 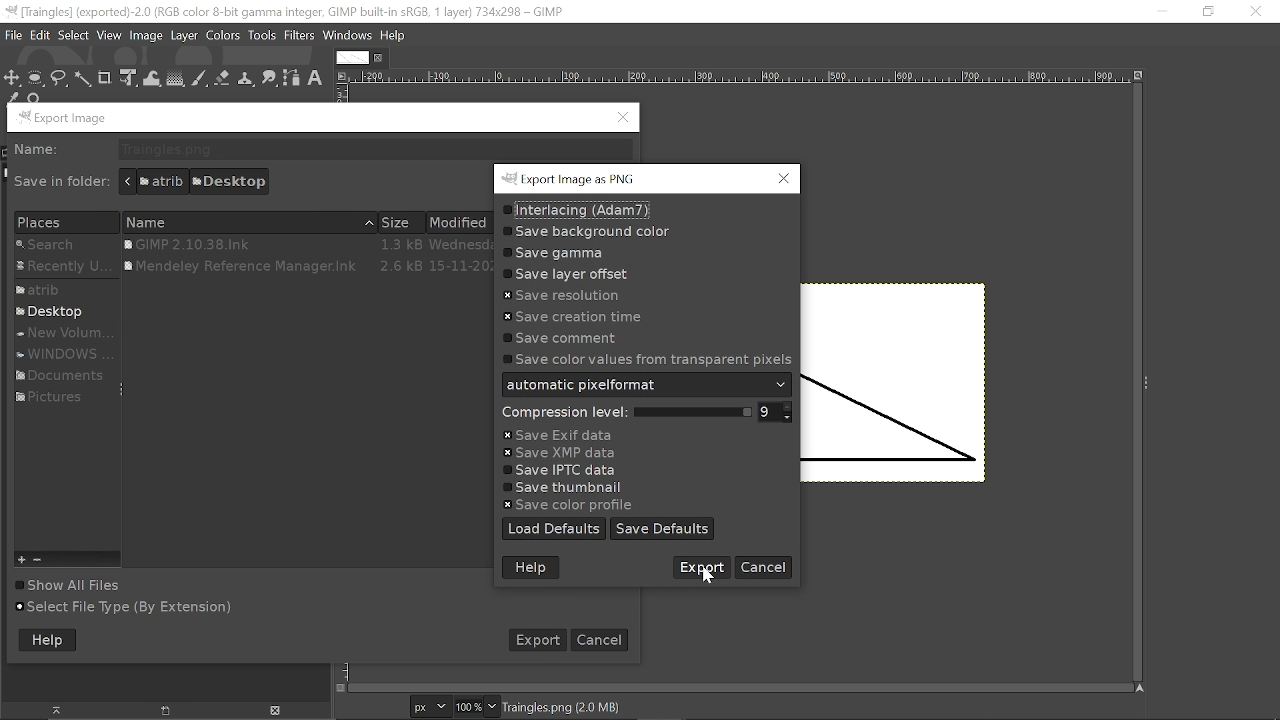 I want to click on folder, so click(x=64, y=354).